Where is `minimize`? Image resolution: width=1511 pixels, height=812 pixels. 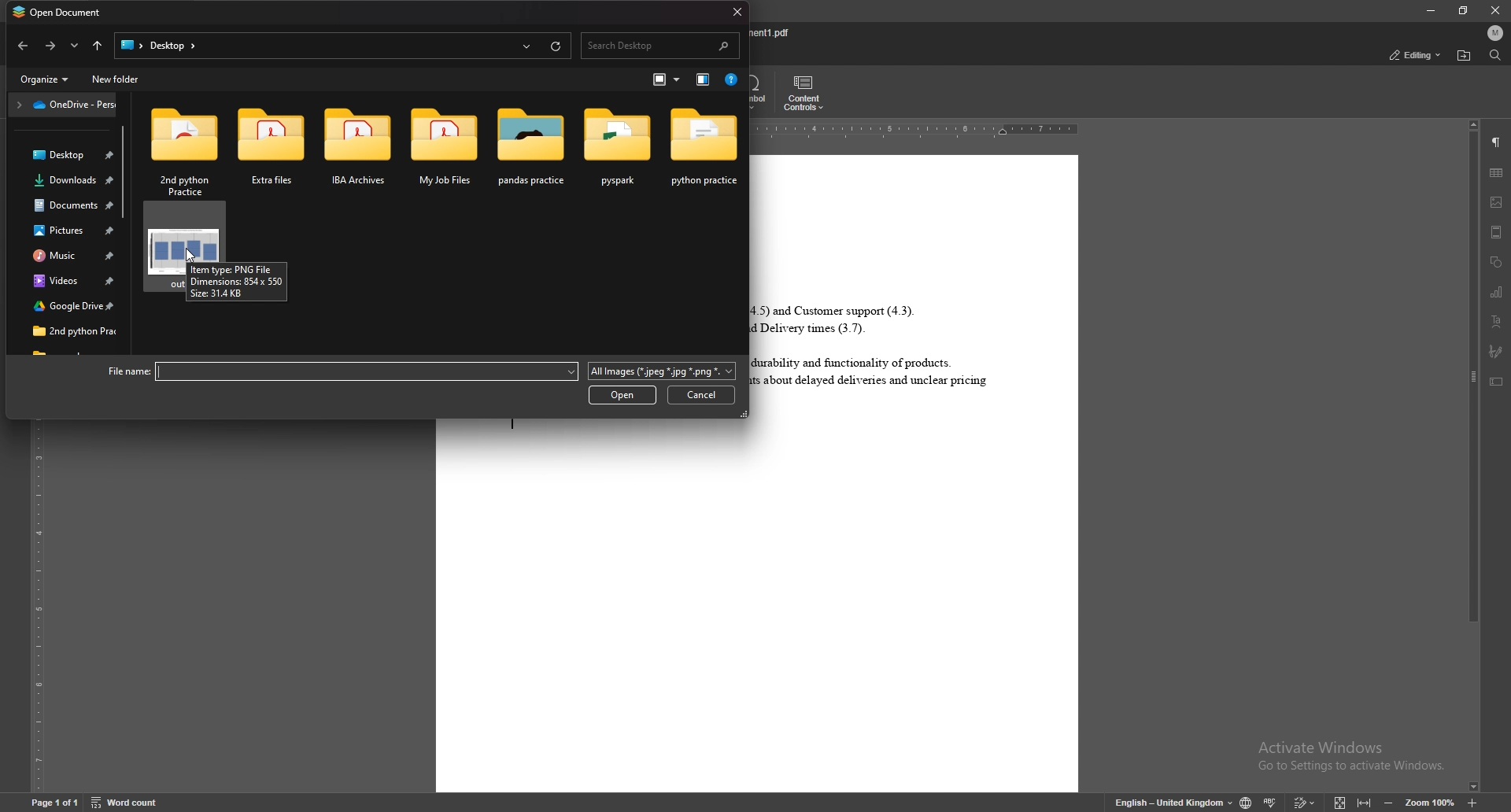
minimize is located at coordinates (1429, 10).